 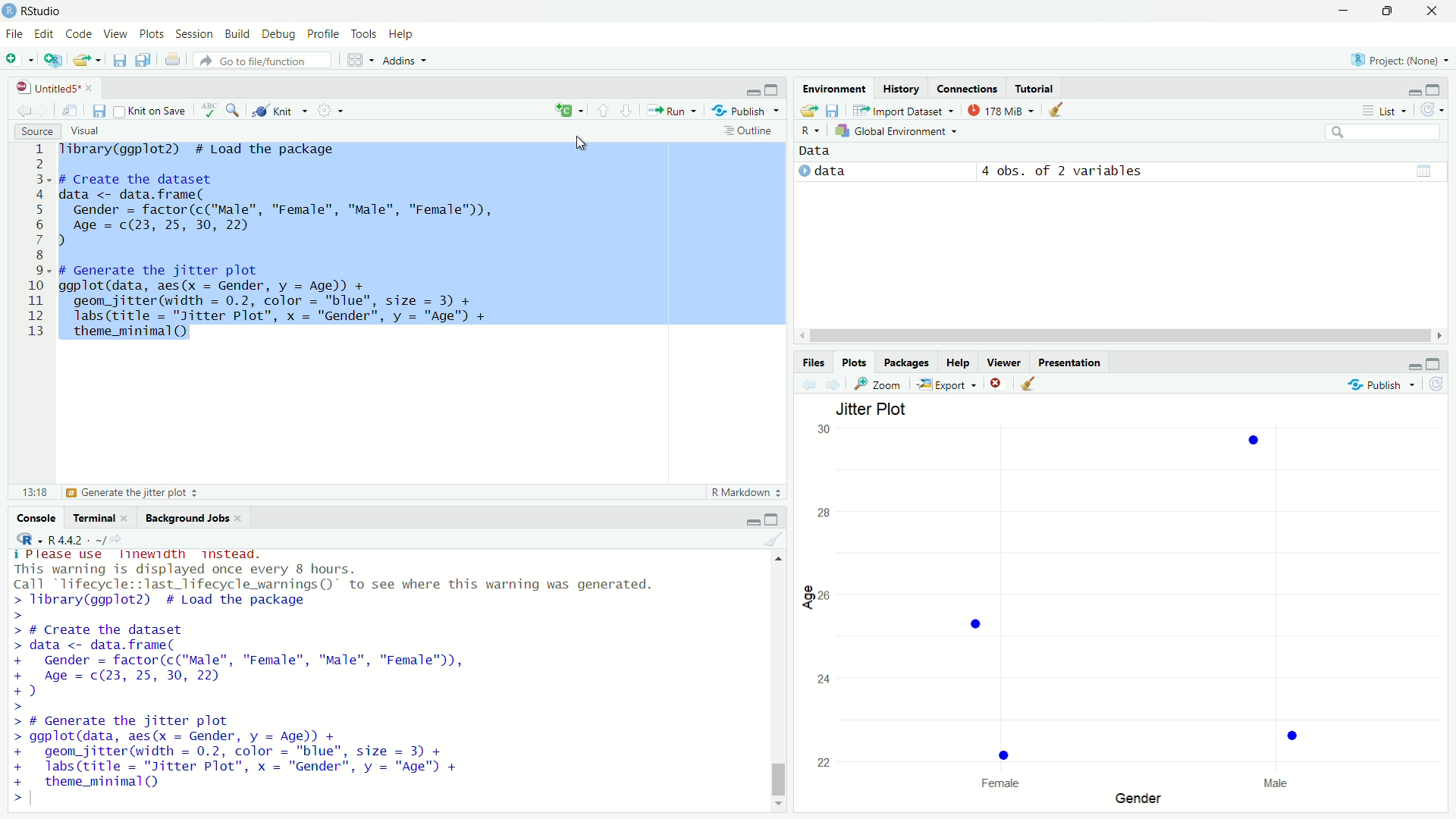 I want to click on view, so click(x=112, y=33).